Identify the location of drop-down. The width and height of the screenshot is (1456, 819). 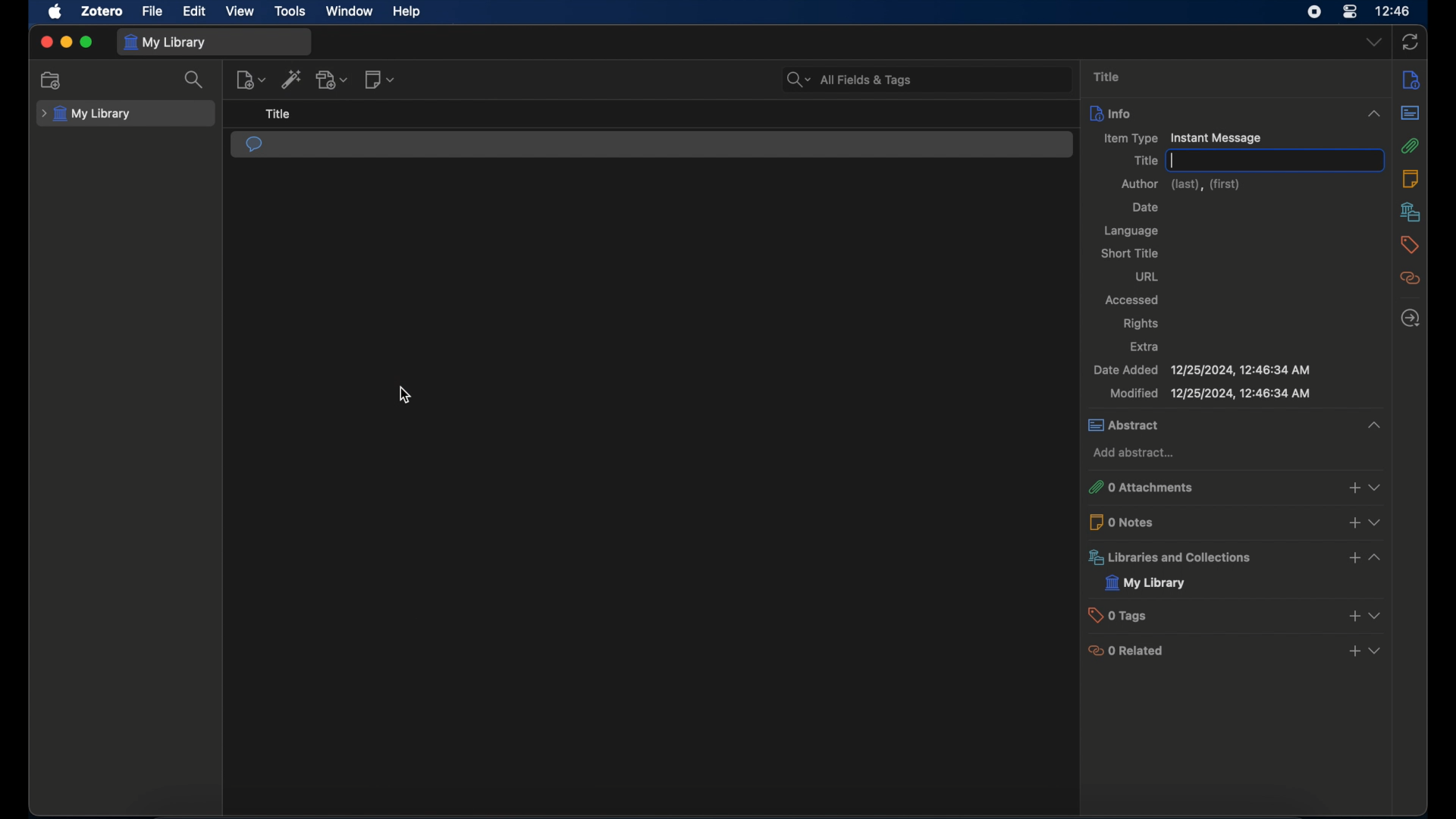
(1375, 42).